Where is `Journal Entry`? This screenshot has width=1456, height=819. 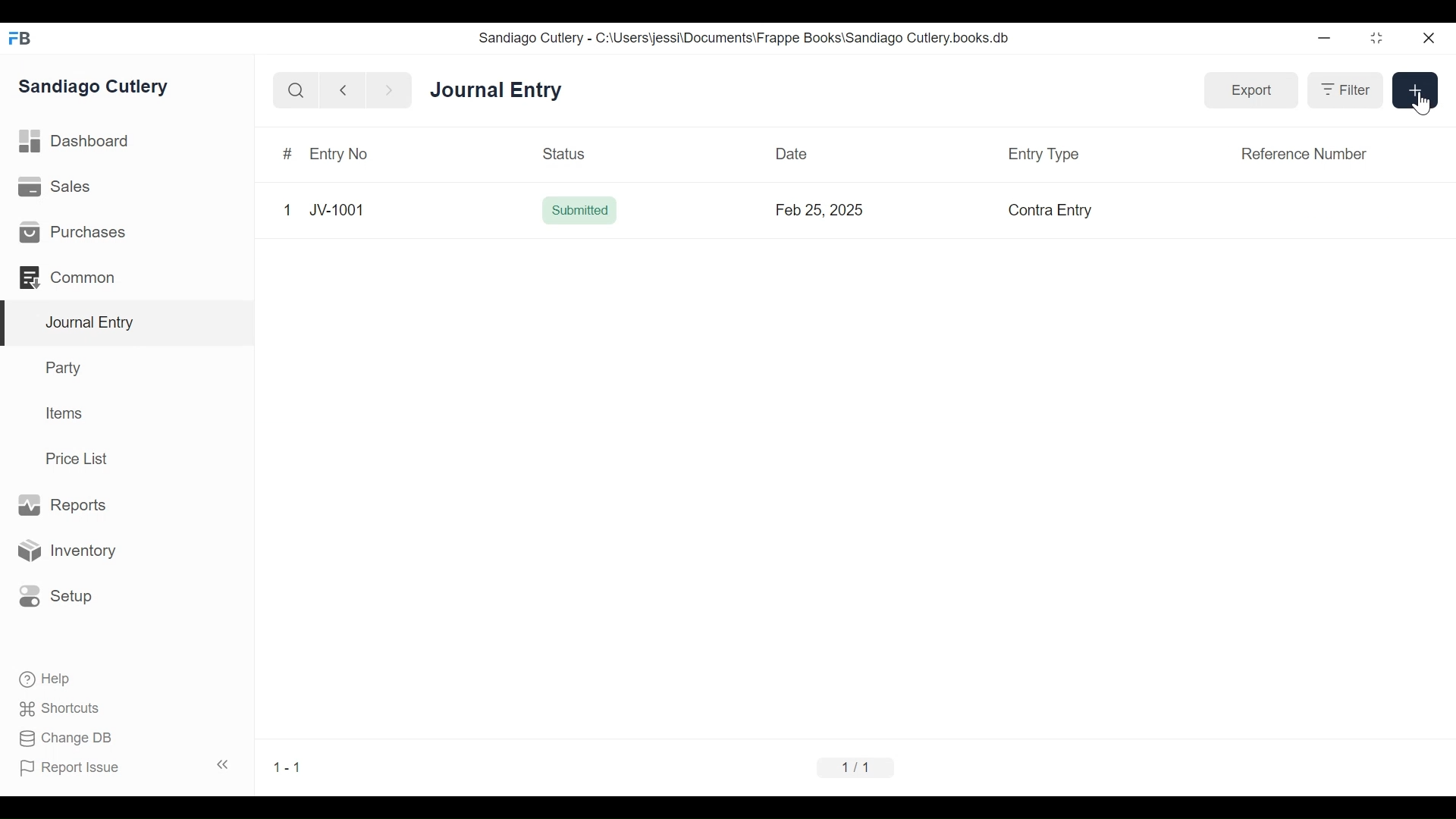
Journal Entry is located at coordinates (128, 323).